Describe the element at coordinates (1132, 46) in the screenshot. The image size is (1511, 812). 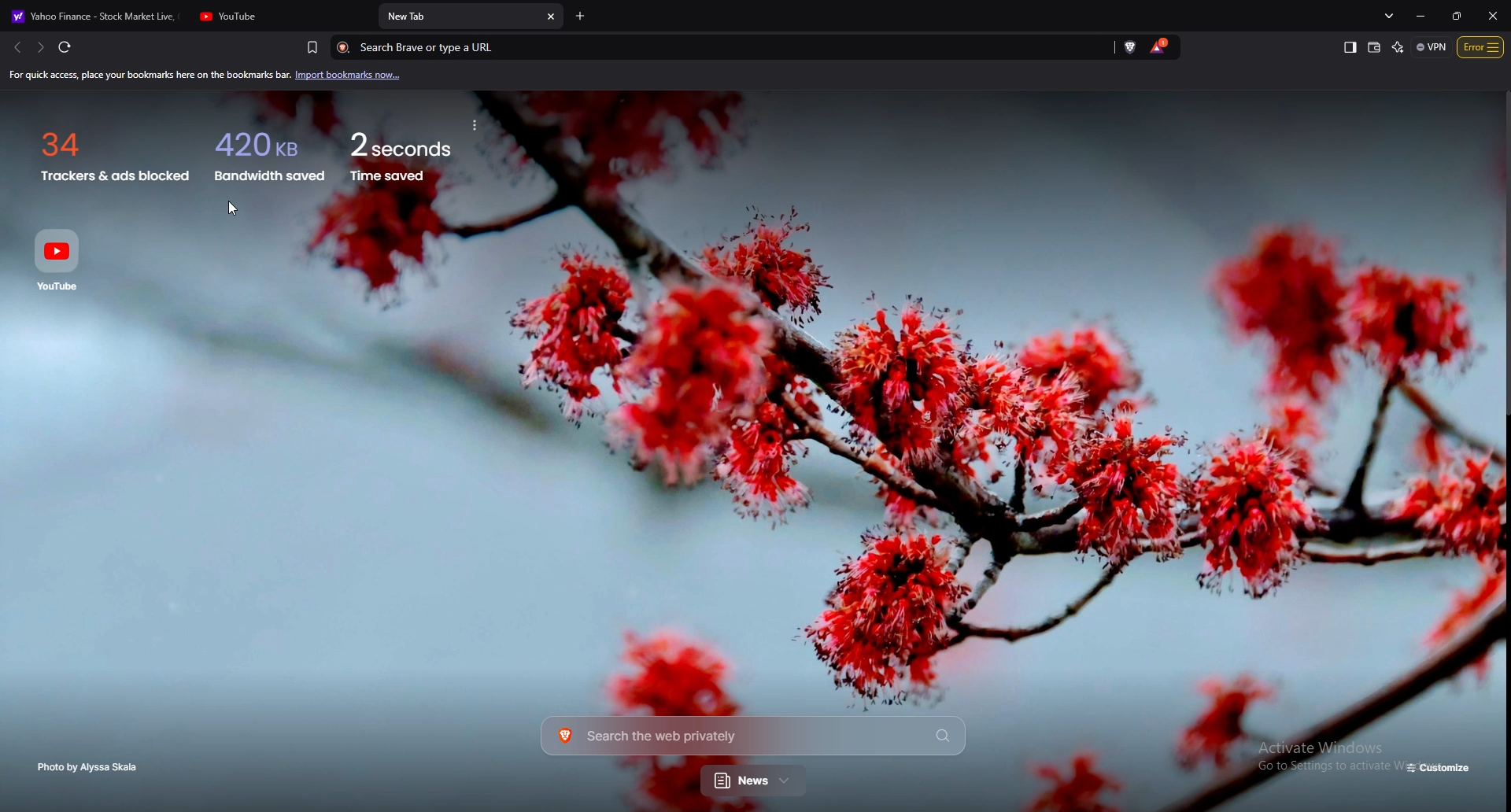
I see `brave shield` at that location.